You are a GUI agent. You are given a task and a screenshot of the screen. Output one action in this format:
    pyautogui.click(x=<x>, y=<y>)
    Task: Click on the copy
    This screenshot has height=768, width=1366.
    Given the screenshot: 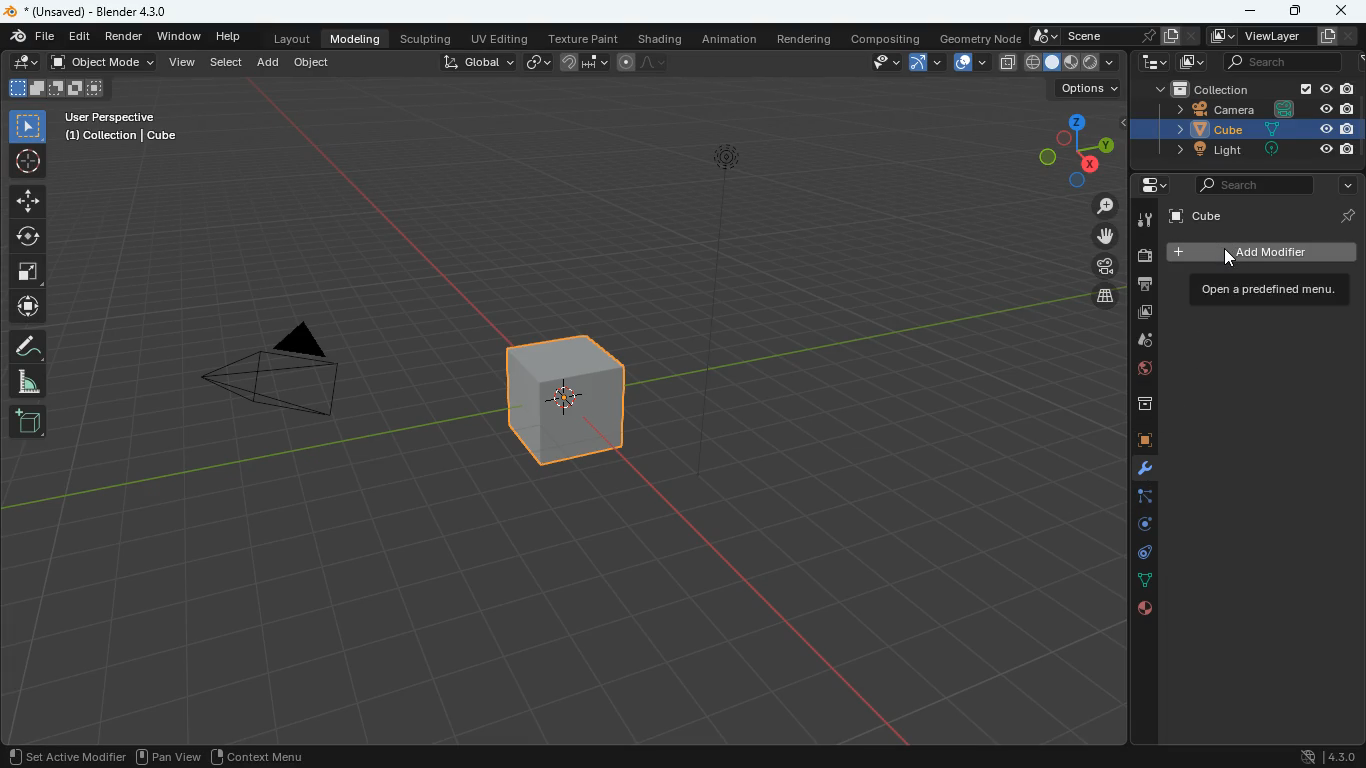 What is the action you would take?
    pyautogui.click(x=1008, y=63)
    